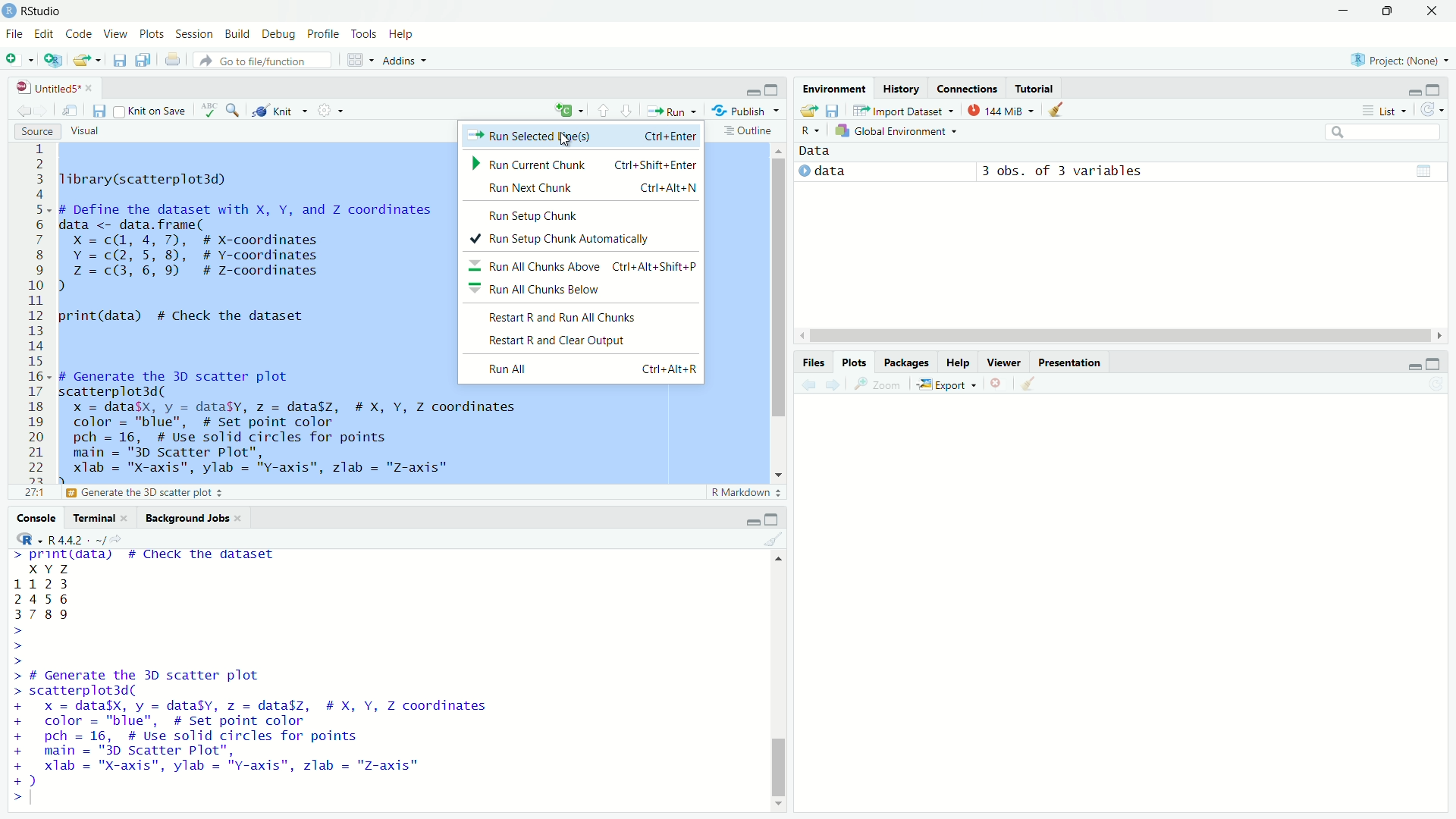  What do you see at coordinates (564, 318) in the screenshot?
I see `Restart R and Run All Chunks` at bounding box center [564, 318].